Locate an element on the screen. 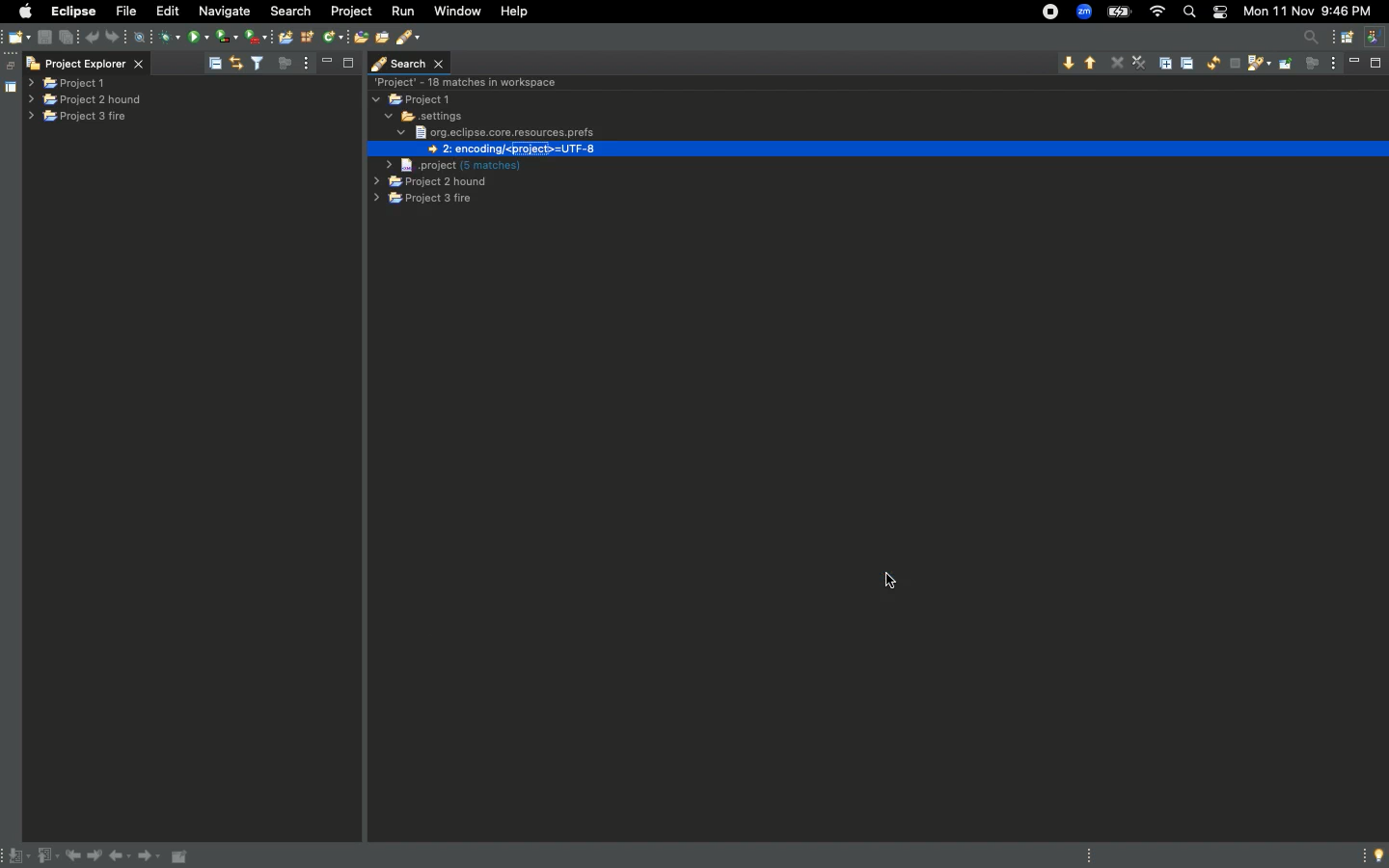  Project - 18 matches is located at coordinates (469, 81).